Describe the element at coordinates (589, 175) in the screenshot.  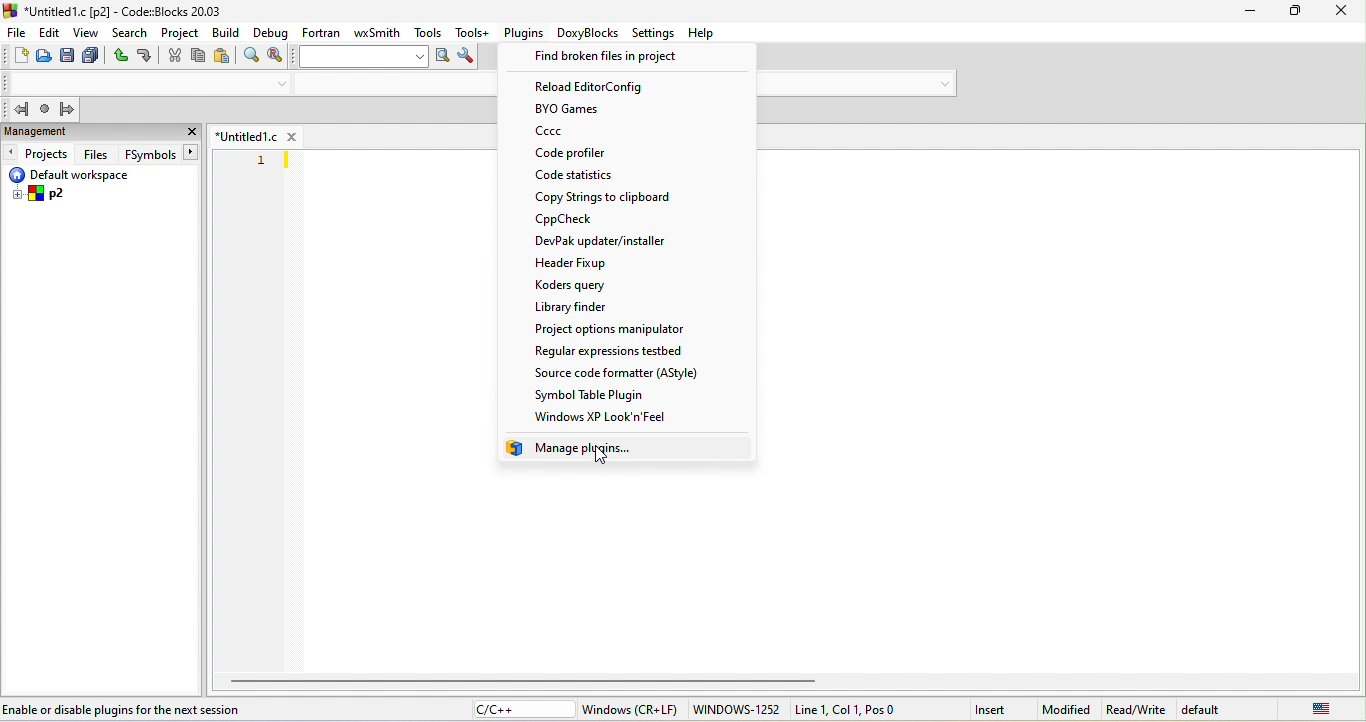
I see `code statistics` at that location.